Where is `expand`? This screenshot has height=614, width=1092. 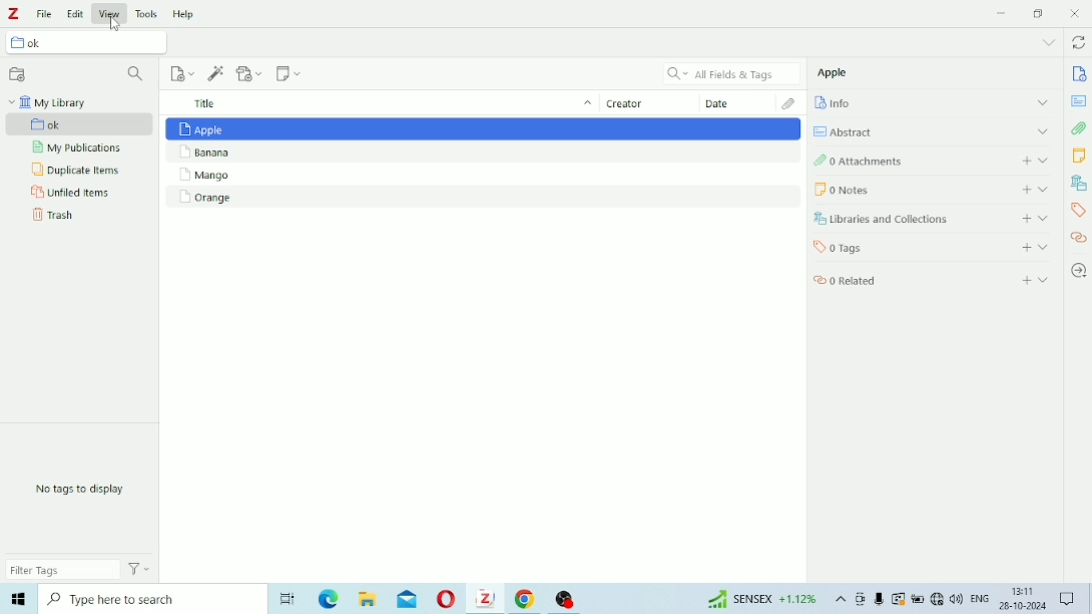
expand is located at coordinates (1044, 246).